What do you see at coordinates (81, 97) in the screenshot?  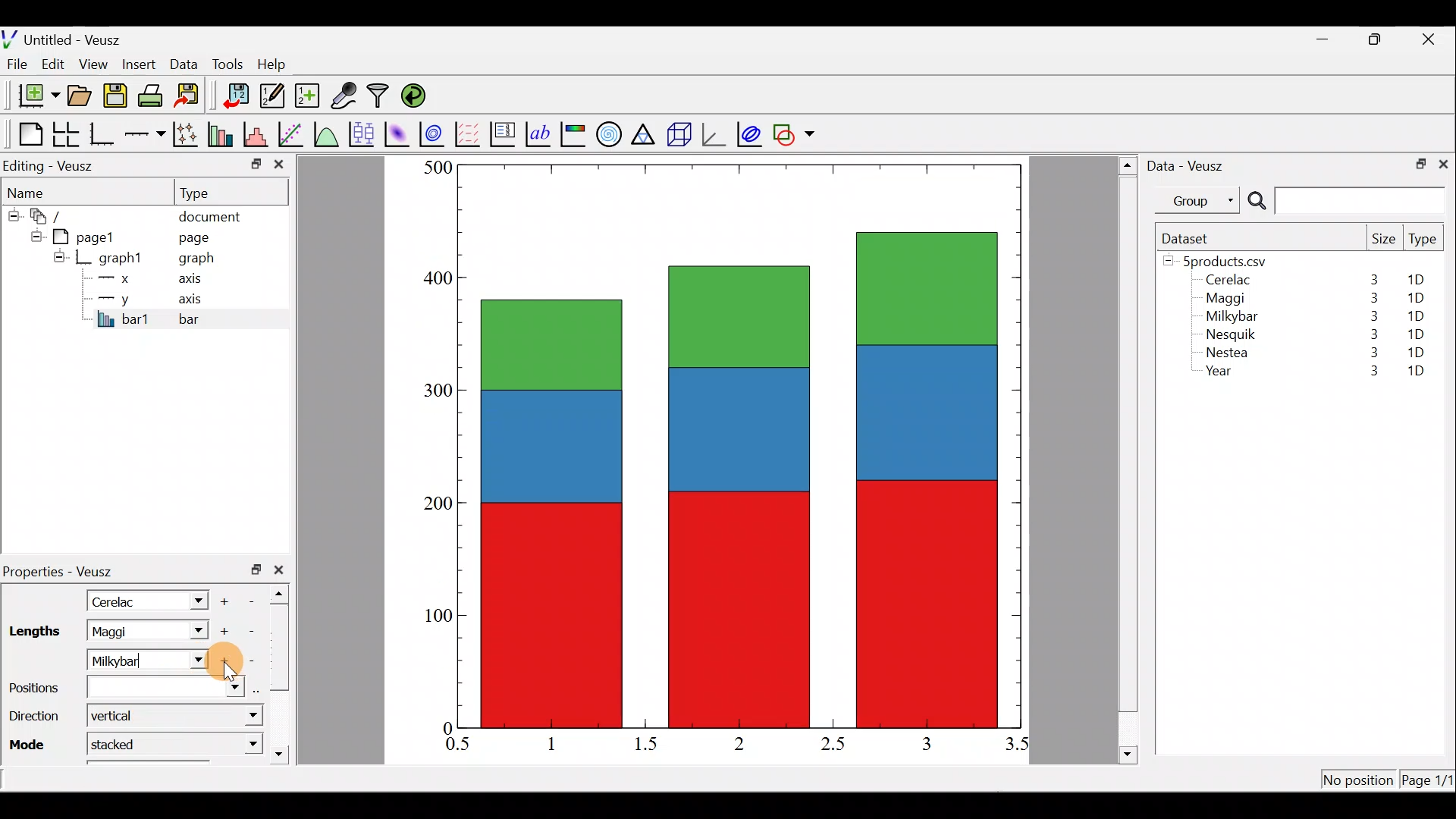 I see `Open a document` at bounding box center [81, 97].